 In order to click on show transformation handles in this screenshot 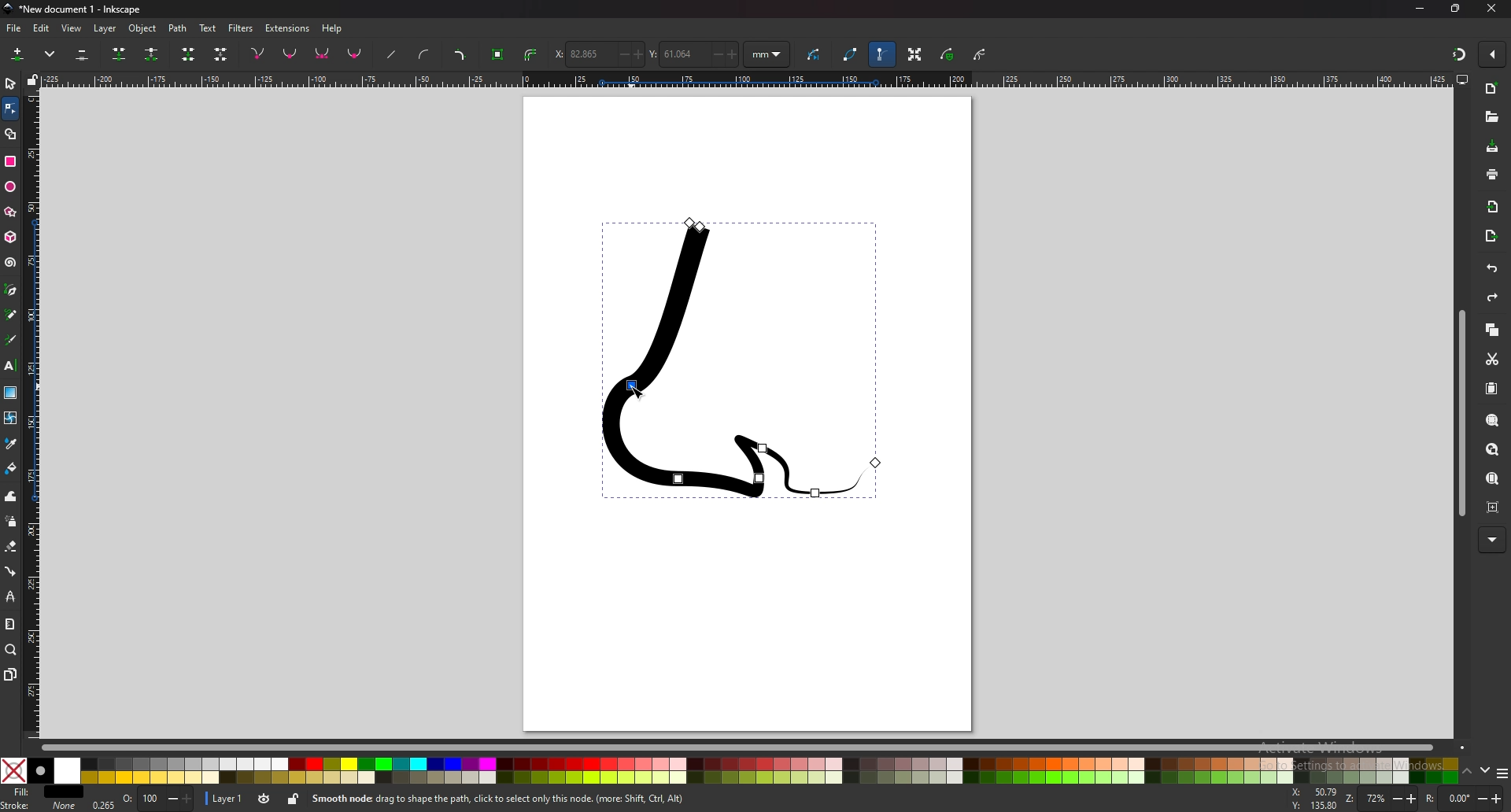, I will do `click(914, 54)`.